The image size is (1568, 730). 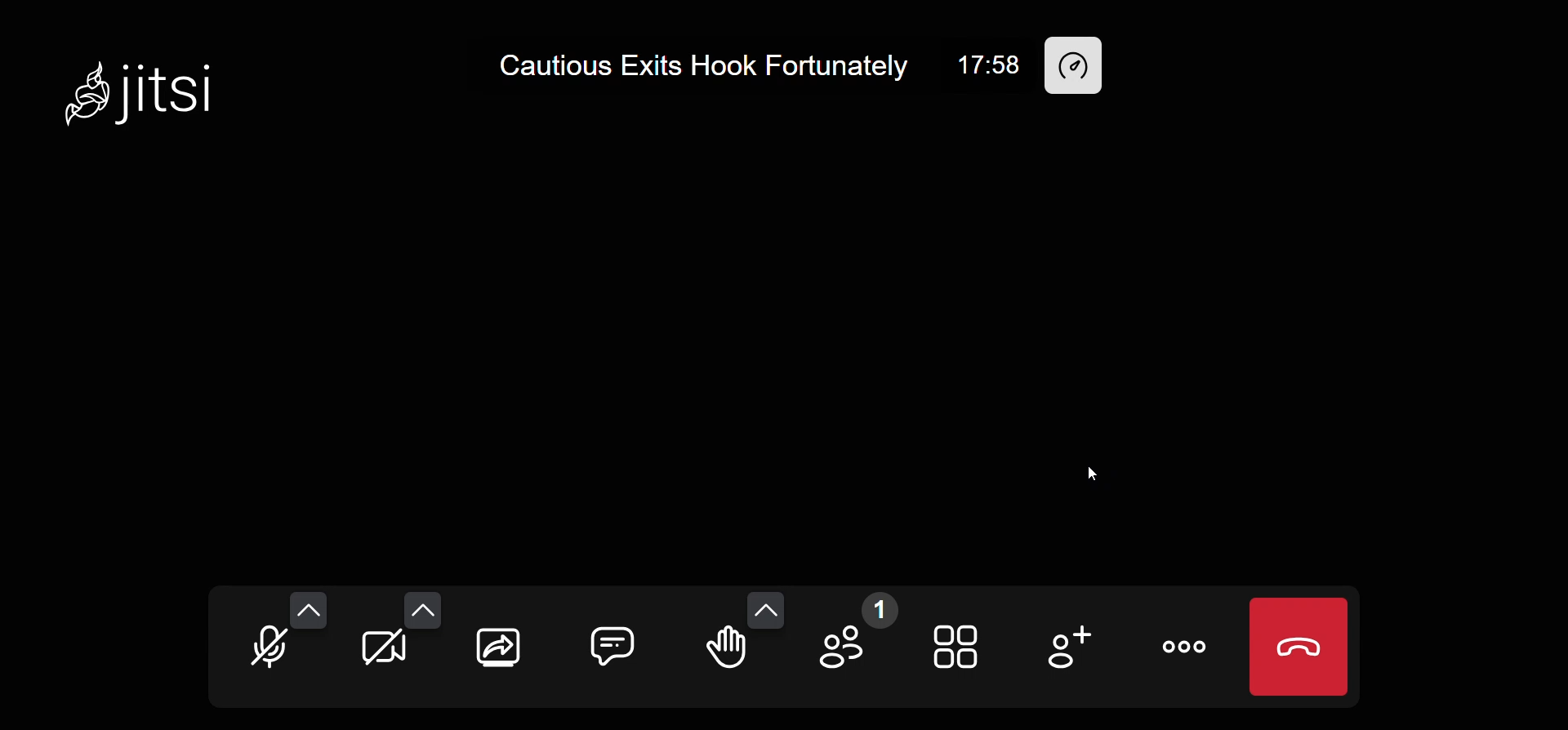 What do you see at coordinates (1070, 650) in the screenshot?
I see `invite people` at bounding box center [1070, 650].